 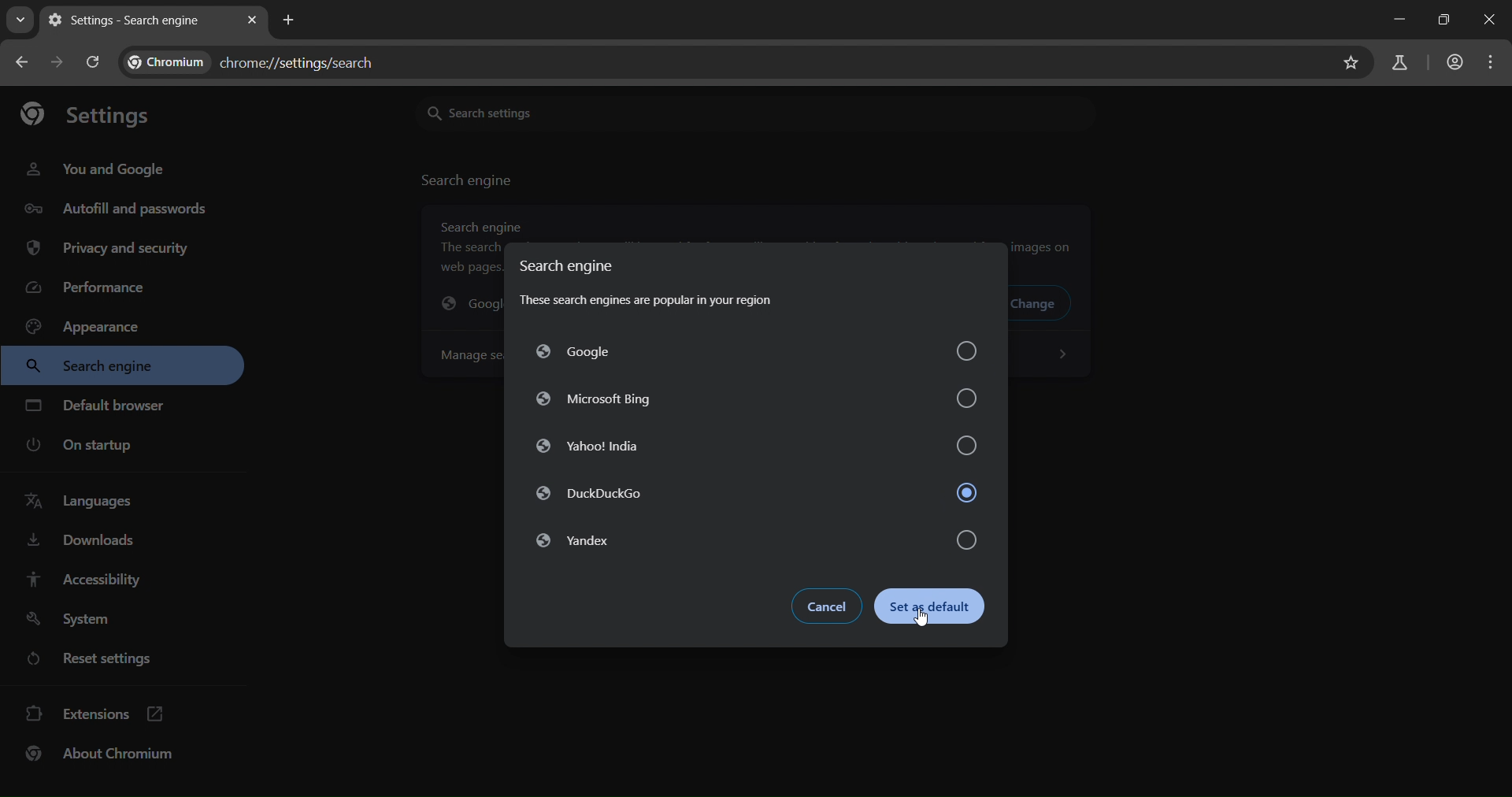 I want to click on search engine, so click(x=98, y=367).